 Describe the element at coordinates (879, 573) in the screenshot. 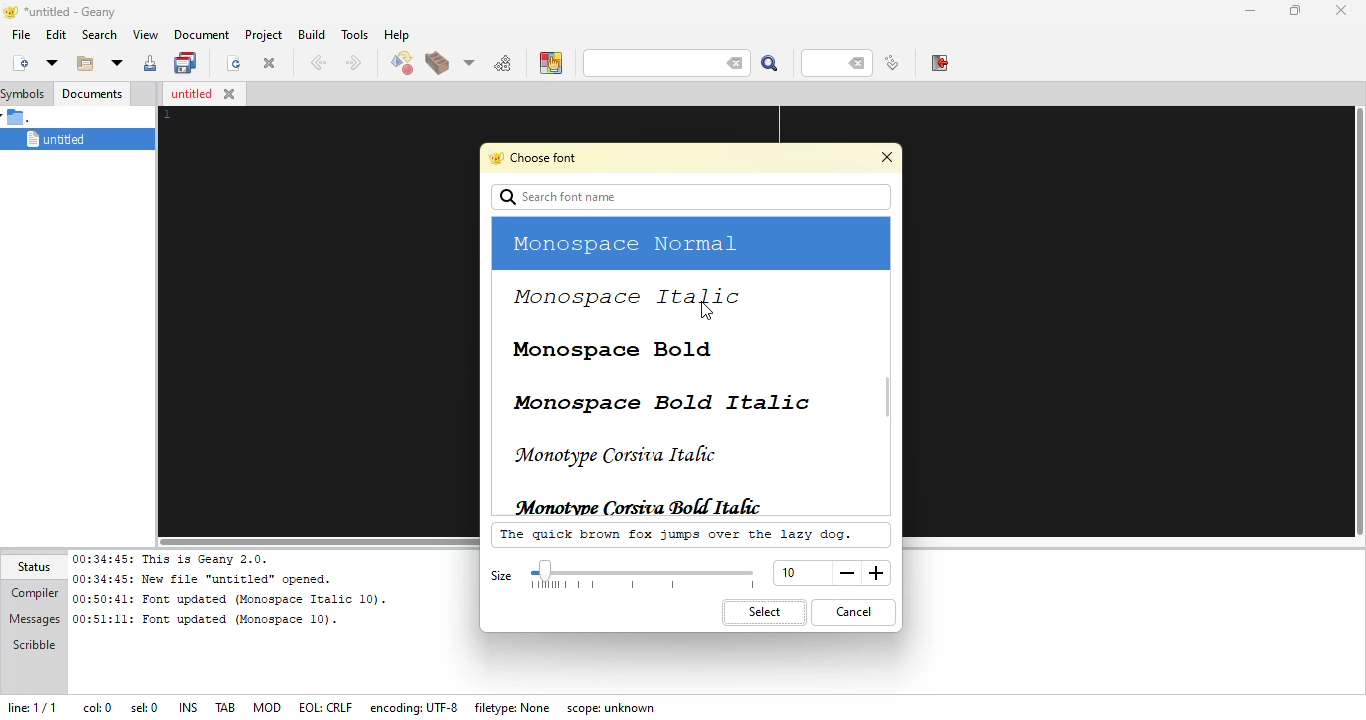

I see `more` at that location.